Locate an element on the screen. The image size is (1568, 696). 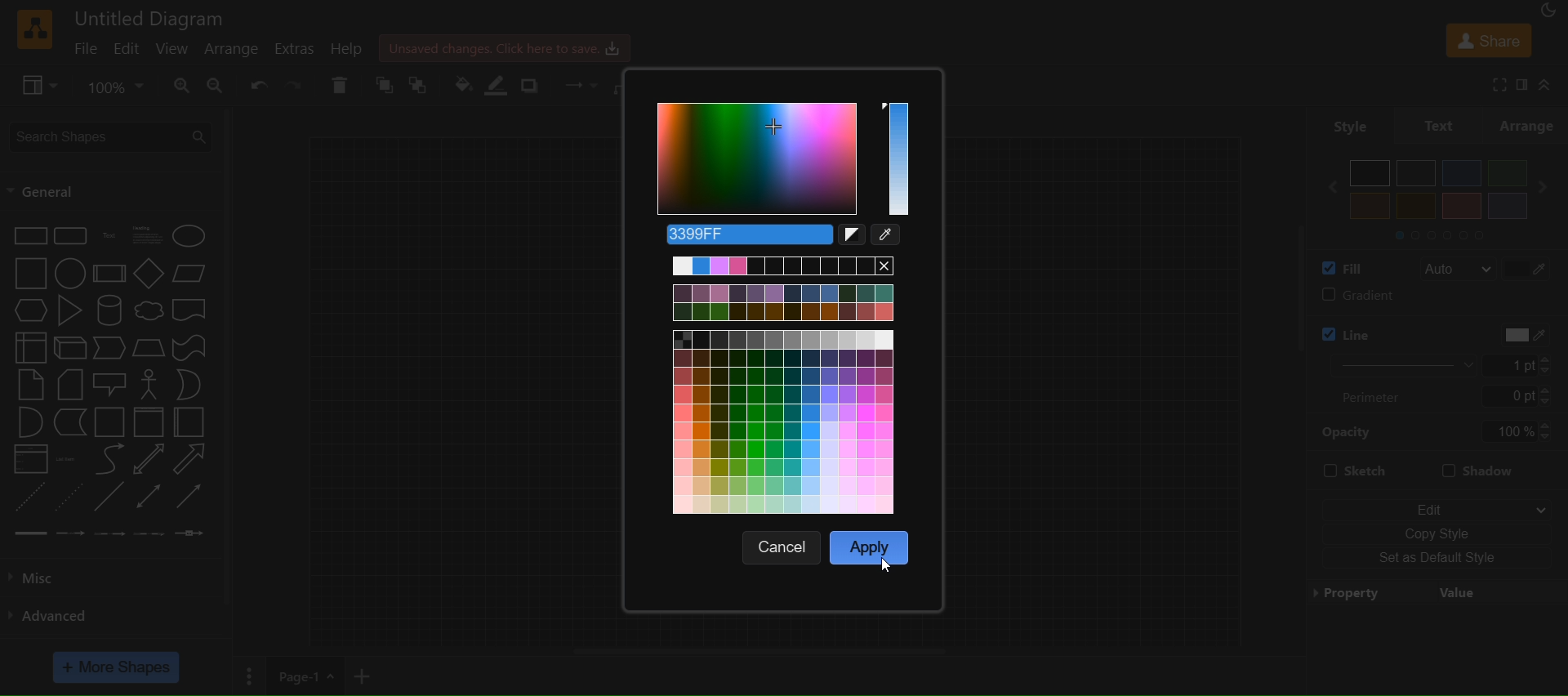
color is located at coordinates (889, 237).